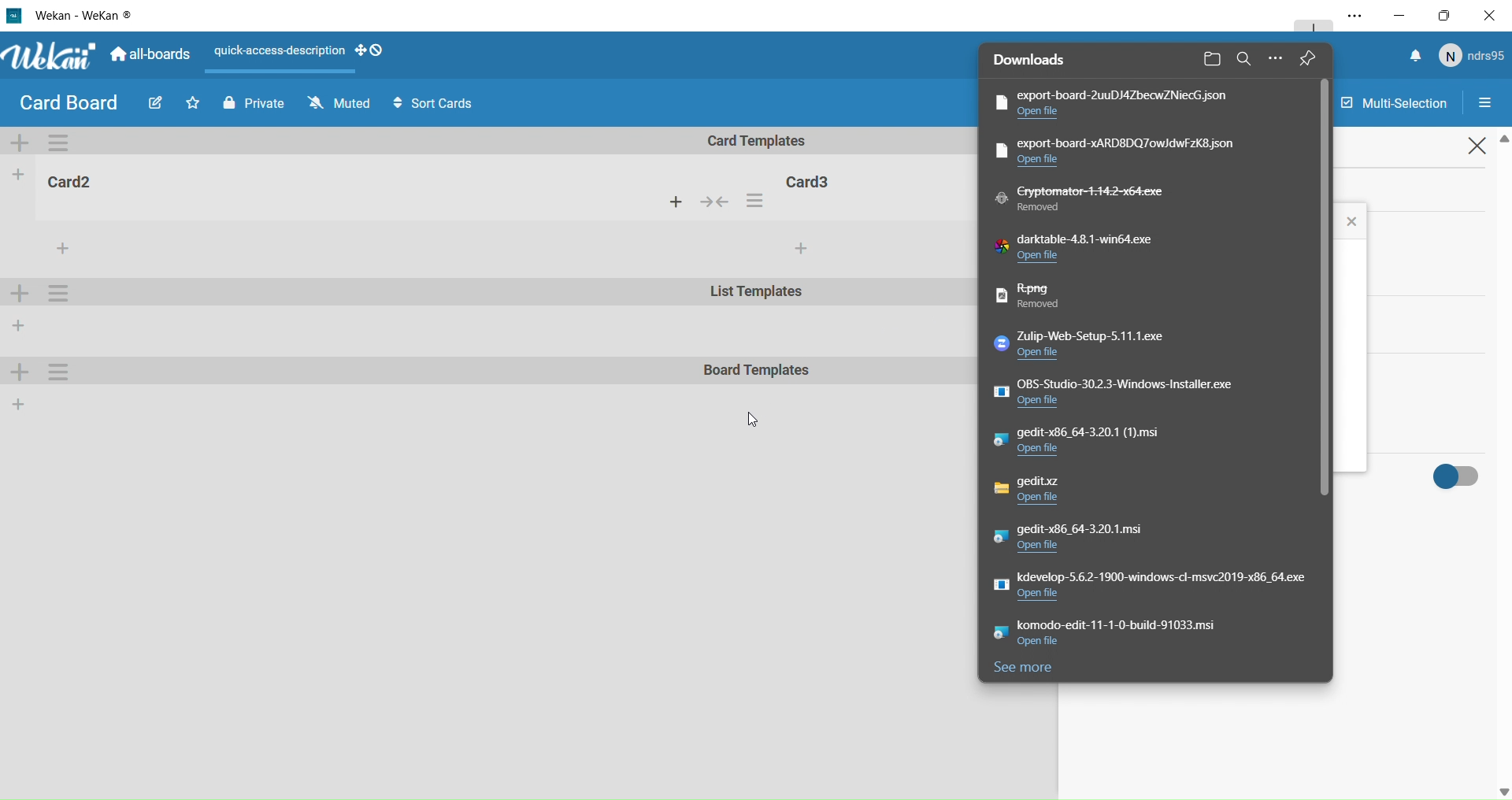 The height and width of the screenshot is (800, 1512). What do you see at coordinates (1212, 60) in the screenshot?
I see `files` at bounding box center [1212, 60].